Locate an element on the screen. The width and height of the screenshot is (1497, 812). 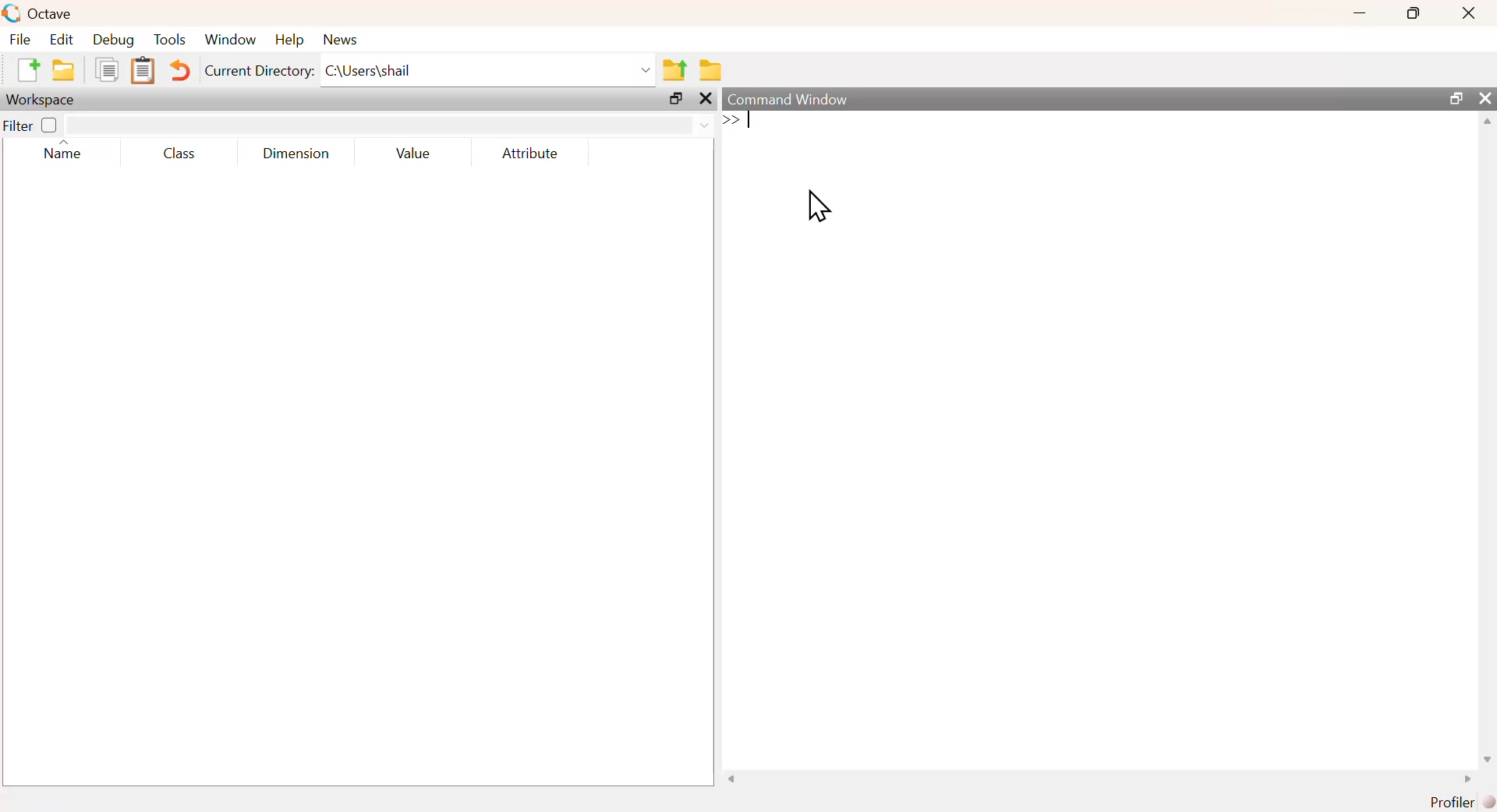
Help is located at coordinates (289, 40).